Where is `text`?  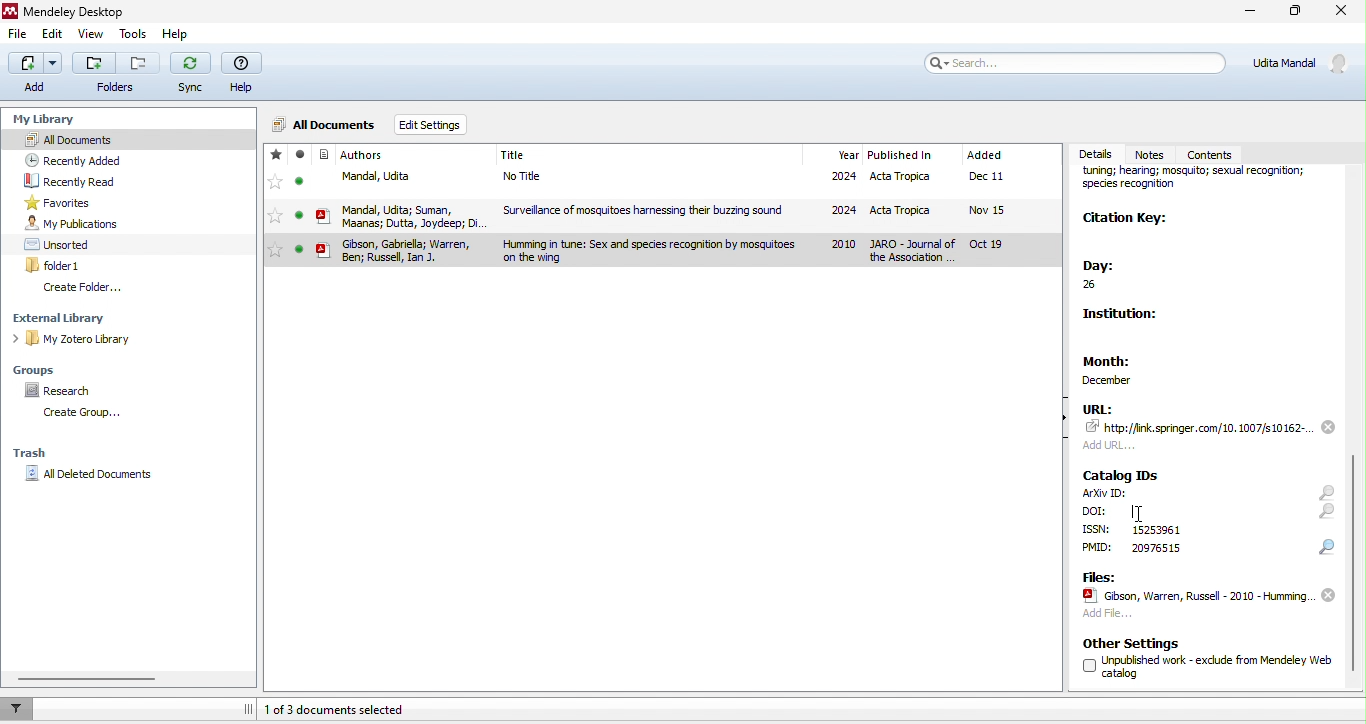 text is located at coordinates (1107, 493).